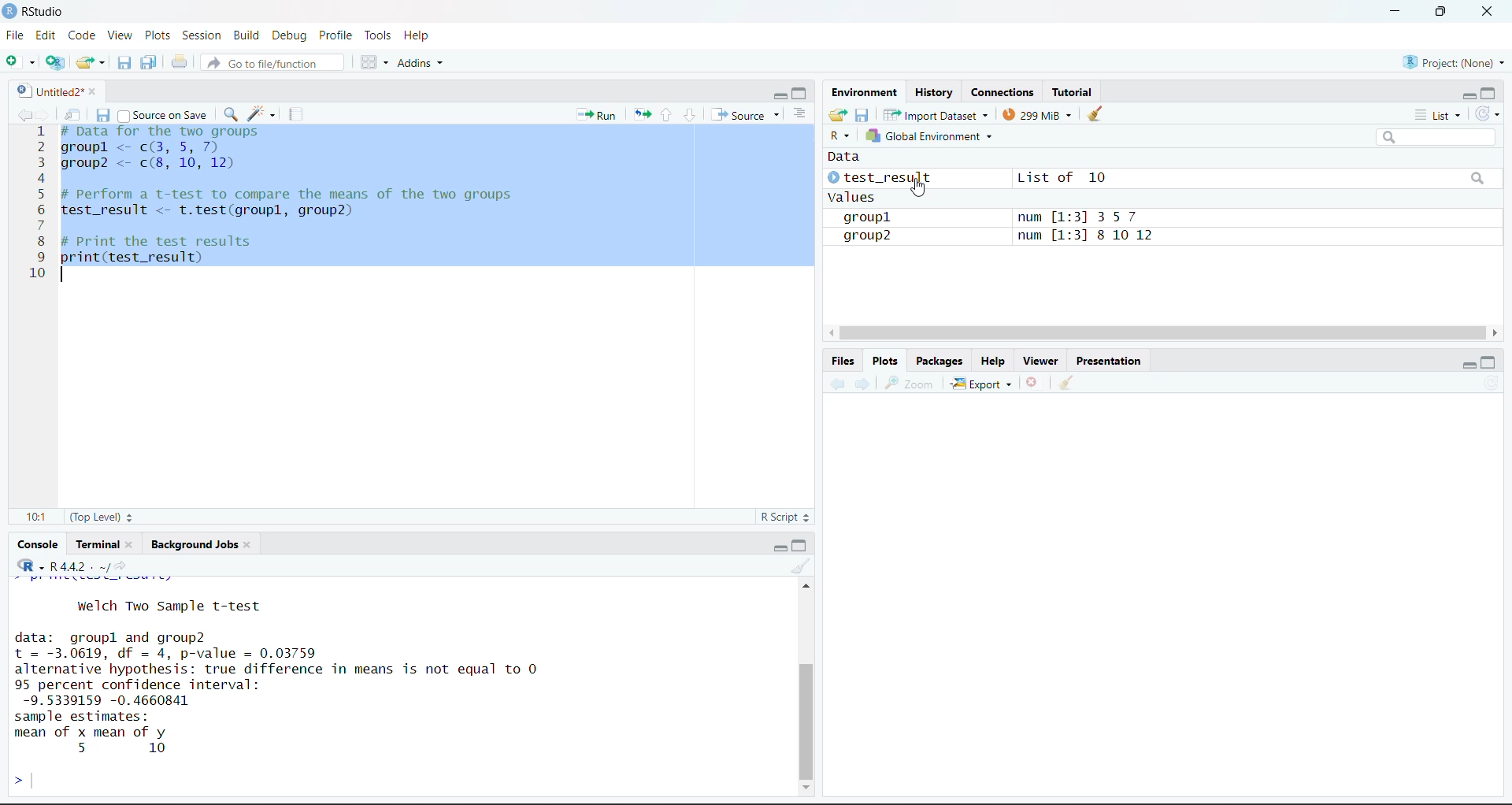 The height and width of the screenshot is (805, 1512). Describe the element at coordinates (799, 93) in the screenshot. I see `maximize` at that location.